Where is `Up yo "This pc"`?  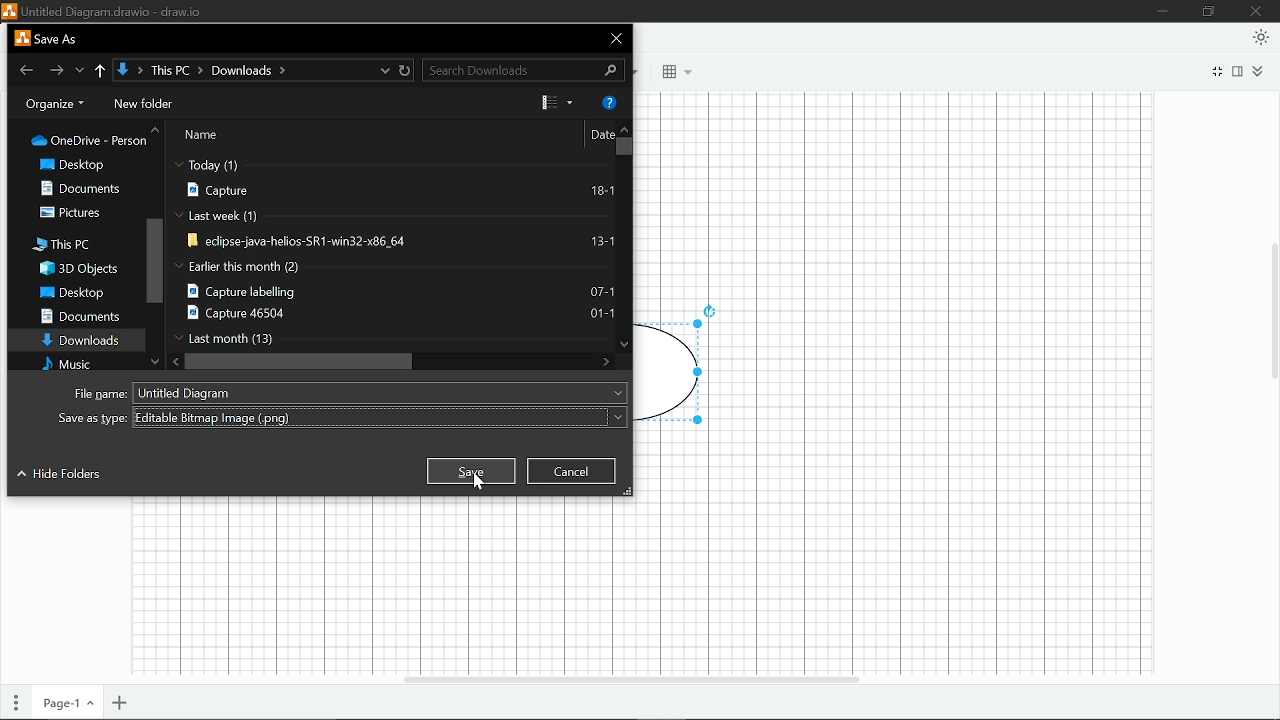
Up yo "This pc" is located at coordinates (102, 71).